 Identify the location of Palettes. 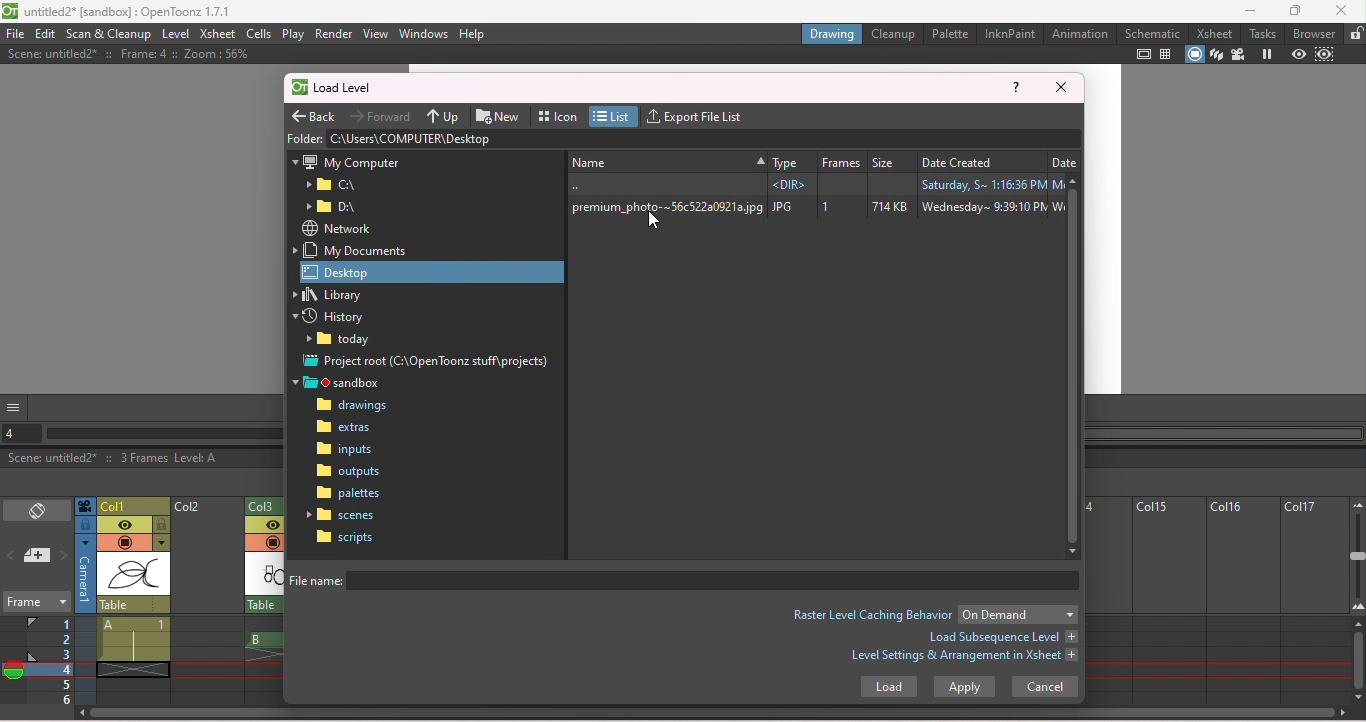
(350, 493).